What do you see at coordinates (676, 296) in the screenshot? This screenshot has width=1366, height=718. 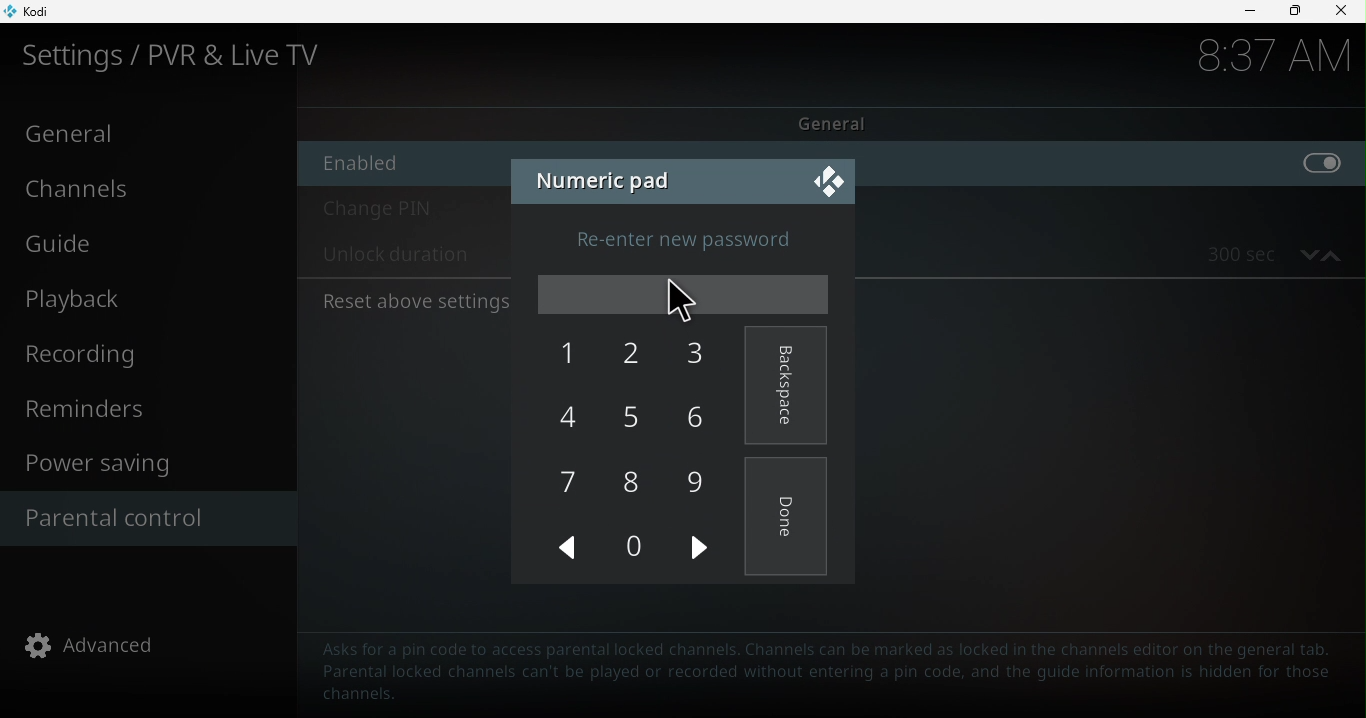 I see `cursor` at bounding box center [676, 296].